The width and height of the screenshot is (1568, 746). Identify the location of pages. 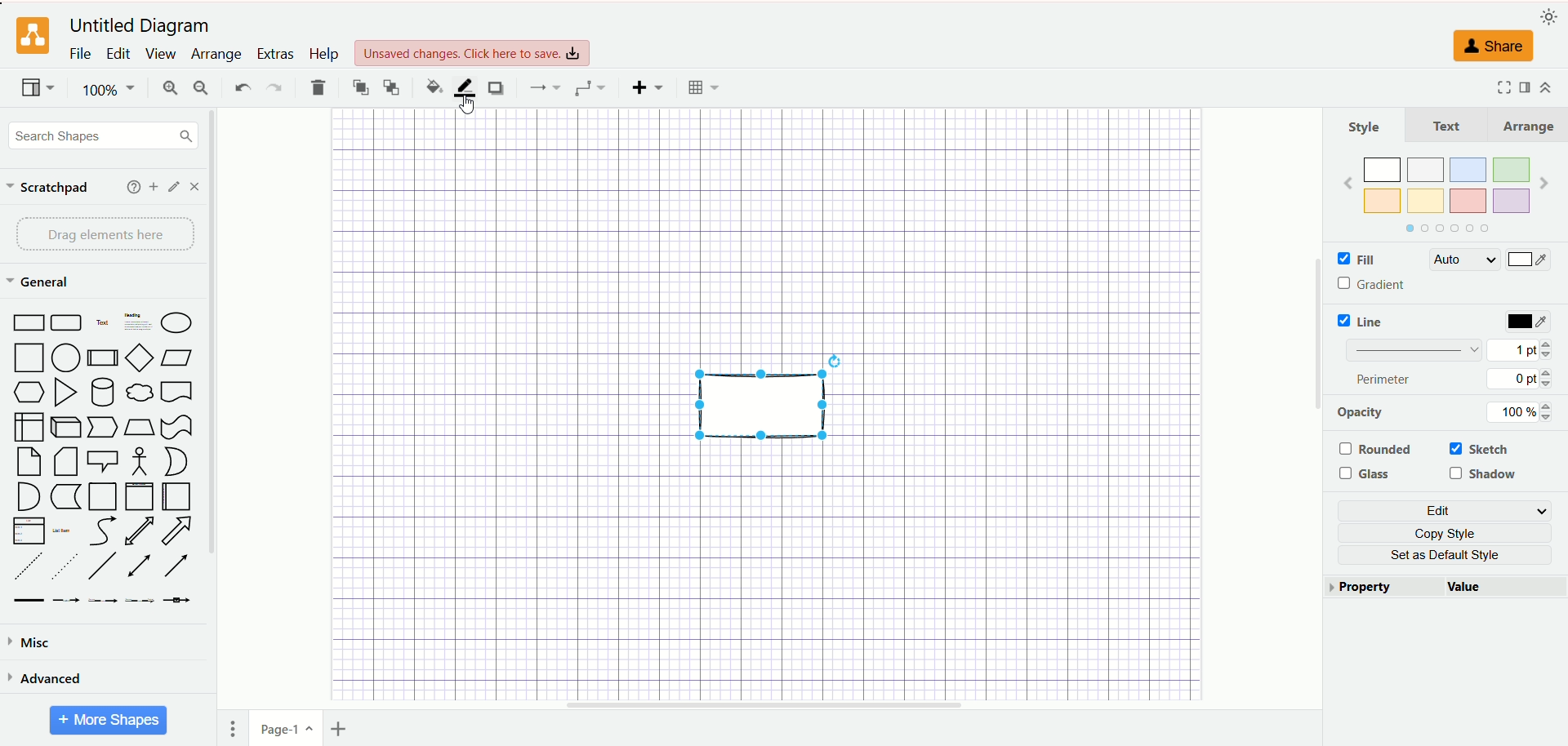
(236, 730).